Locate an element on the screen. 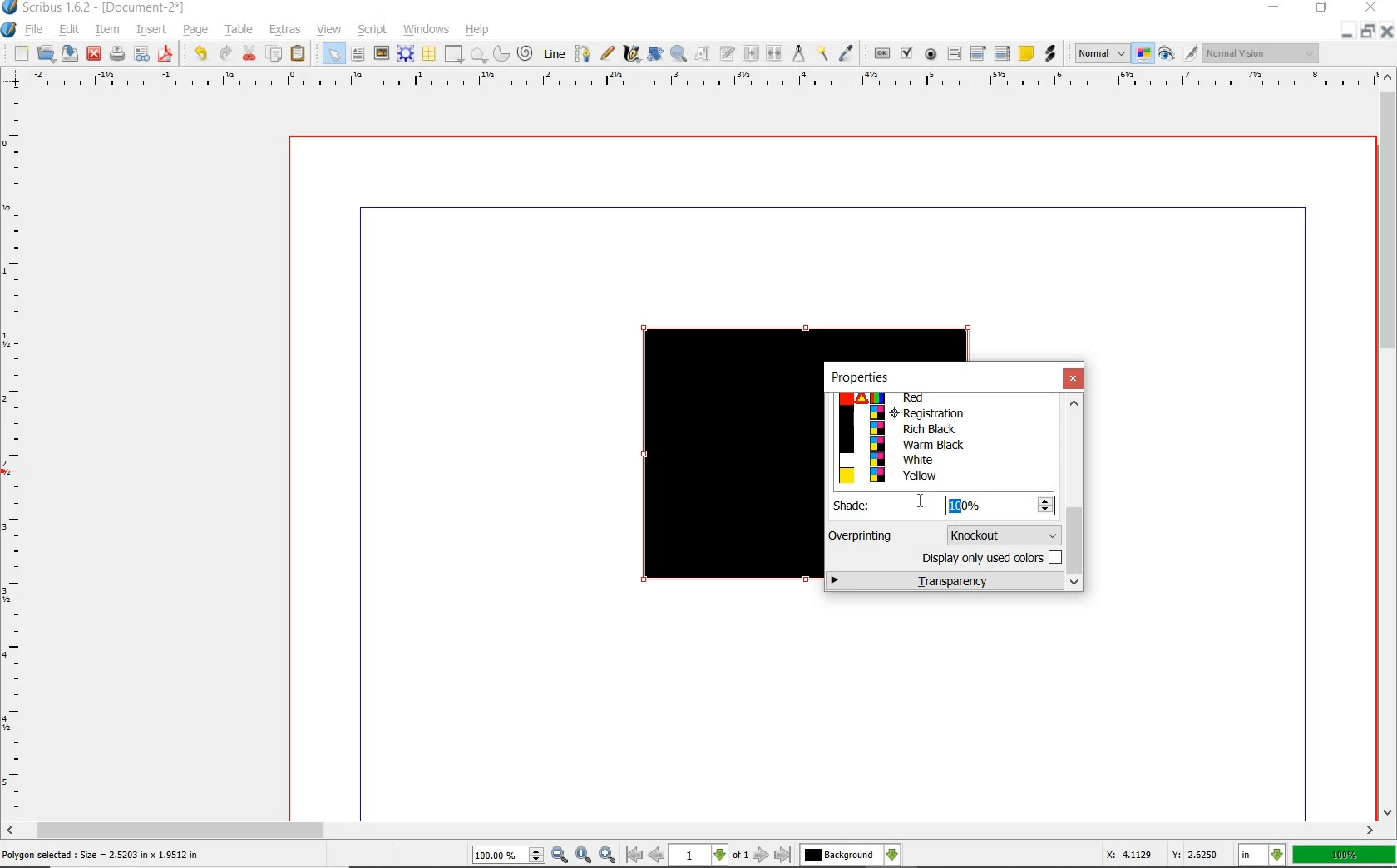 The height and width of the screenshot is (868, 1397). properties is located at coordinates (859, 377).